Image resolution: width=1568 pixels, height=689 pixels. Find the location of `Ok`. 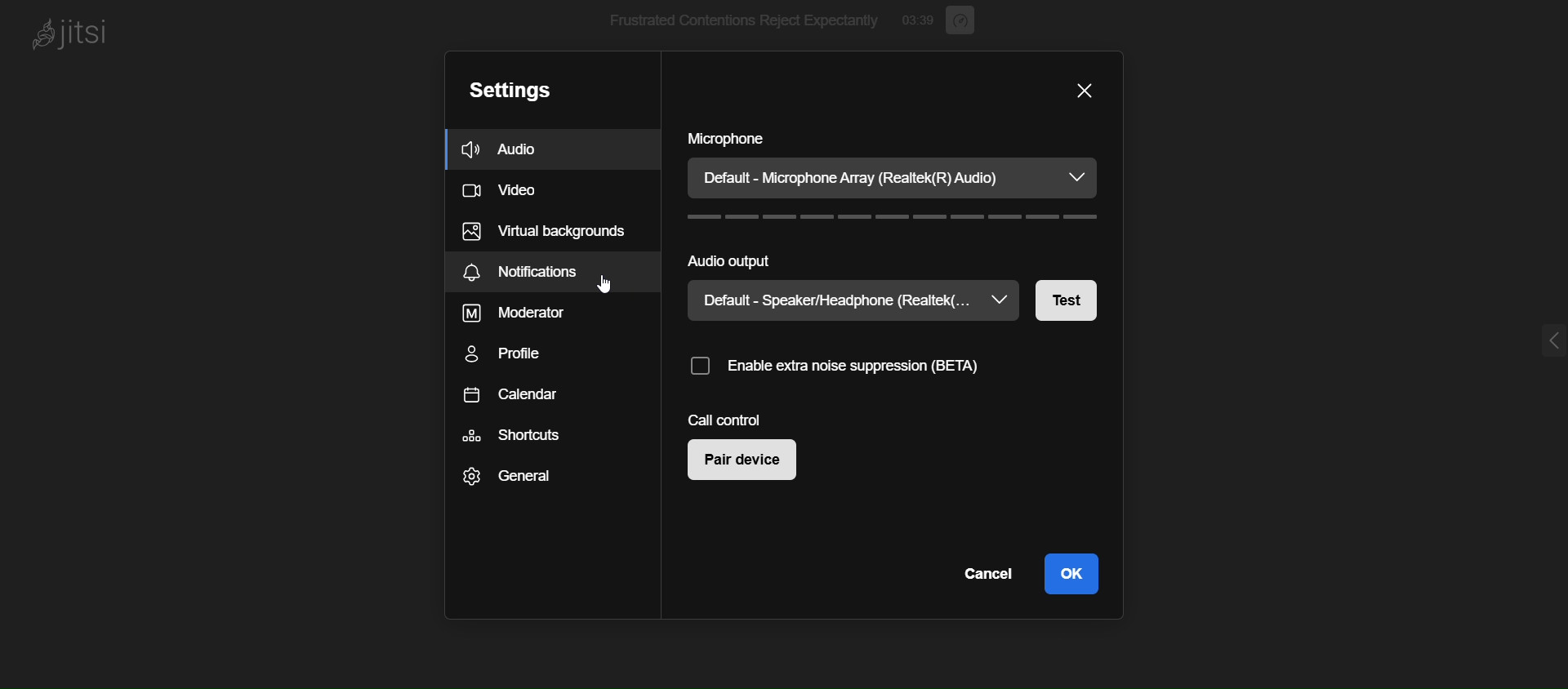

Ok is located at coordinates (1075, 571).